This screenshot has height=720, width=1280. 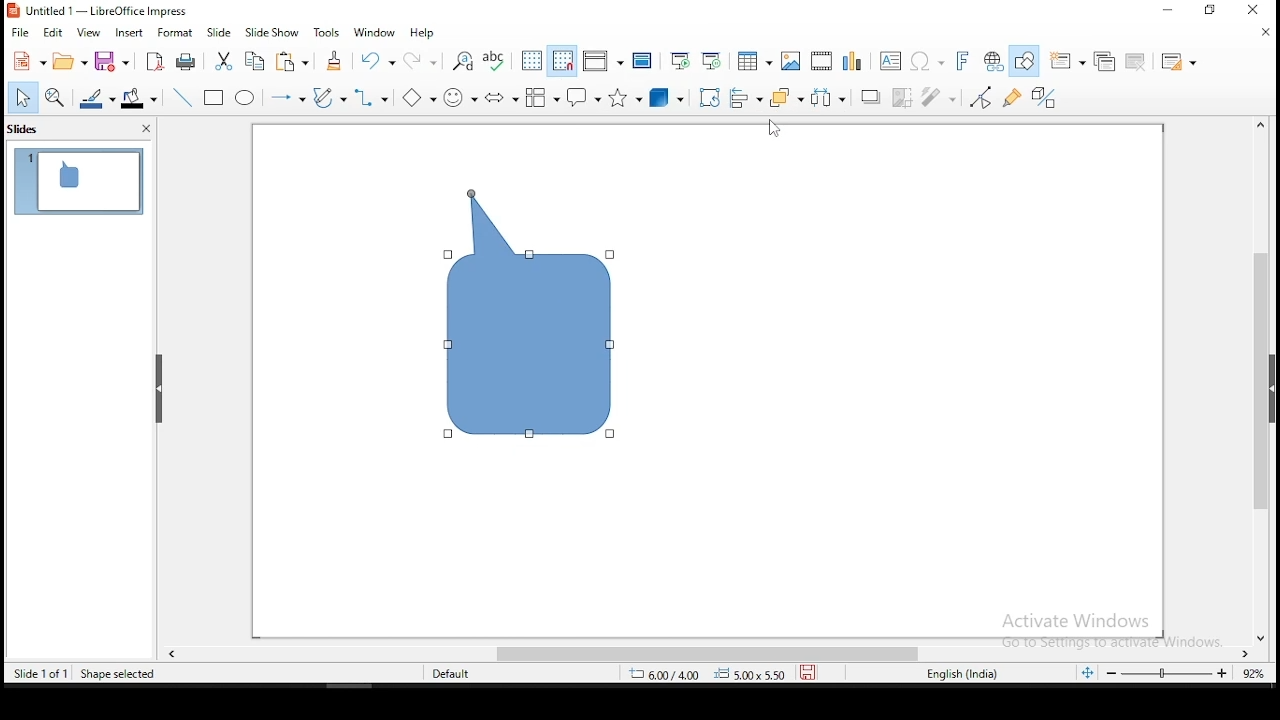 What do you see at coordinates (453, 674) in the screenshot?
I see `default` at bounding box center [453, 674].